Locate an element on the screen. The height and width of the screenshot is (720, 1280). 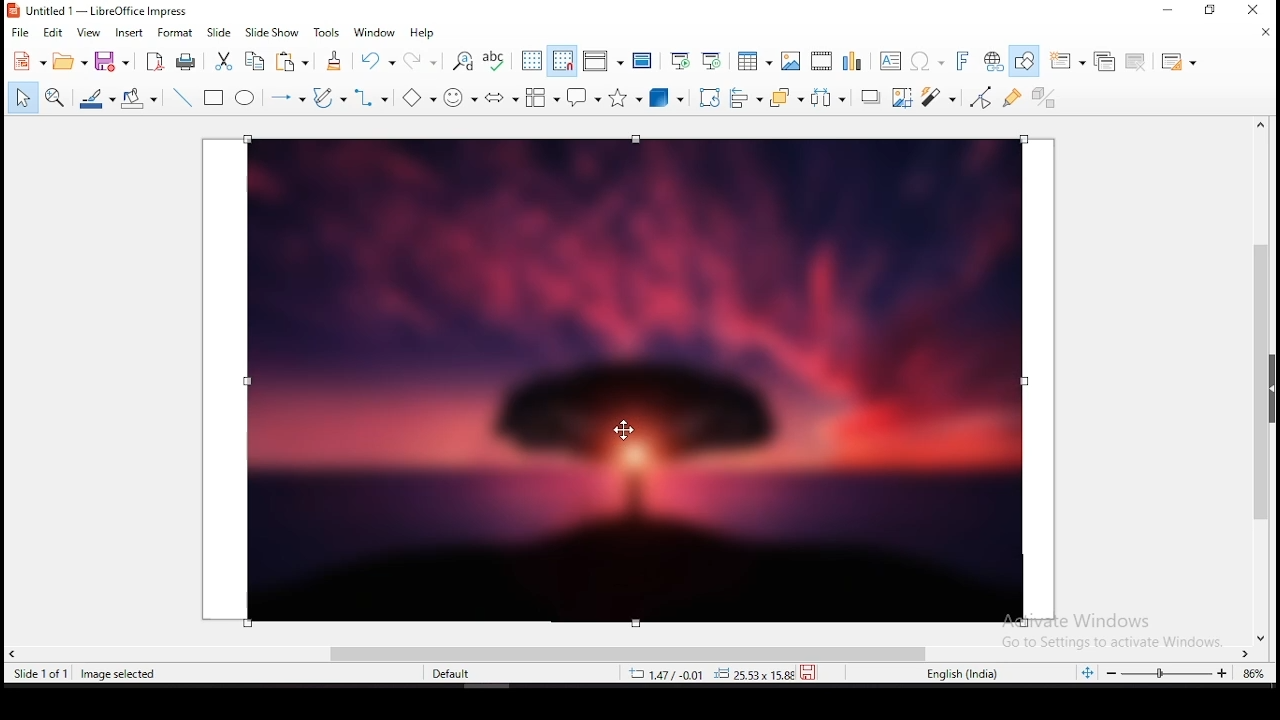
3D shapes is located at coordinates (667, 100).